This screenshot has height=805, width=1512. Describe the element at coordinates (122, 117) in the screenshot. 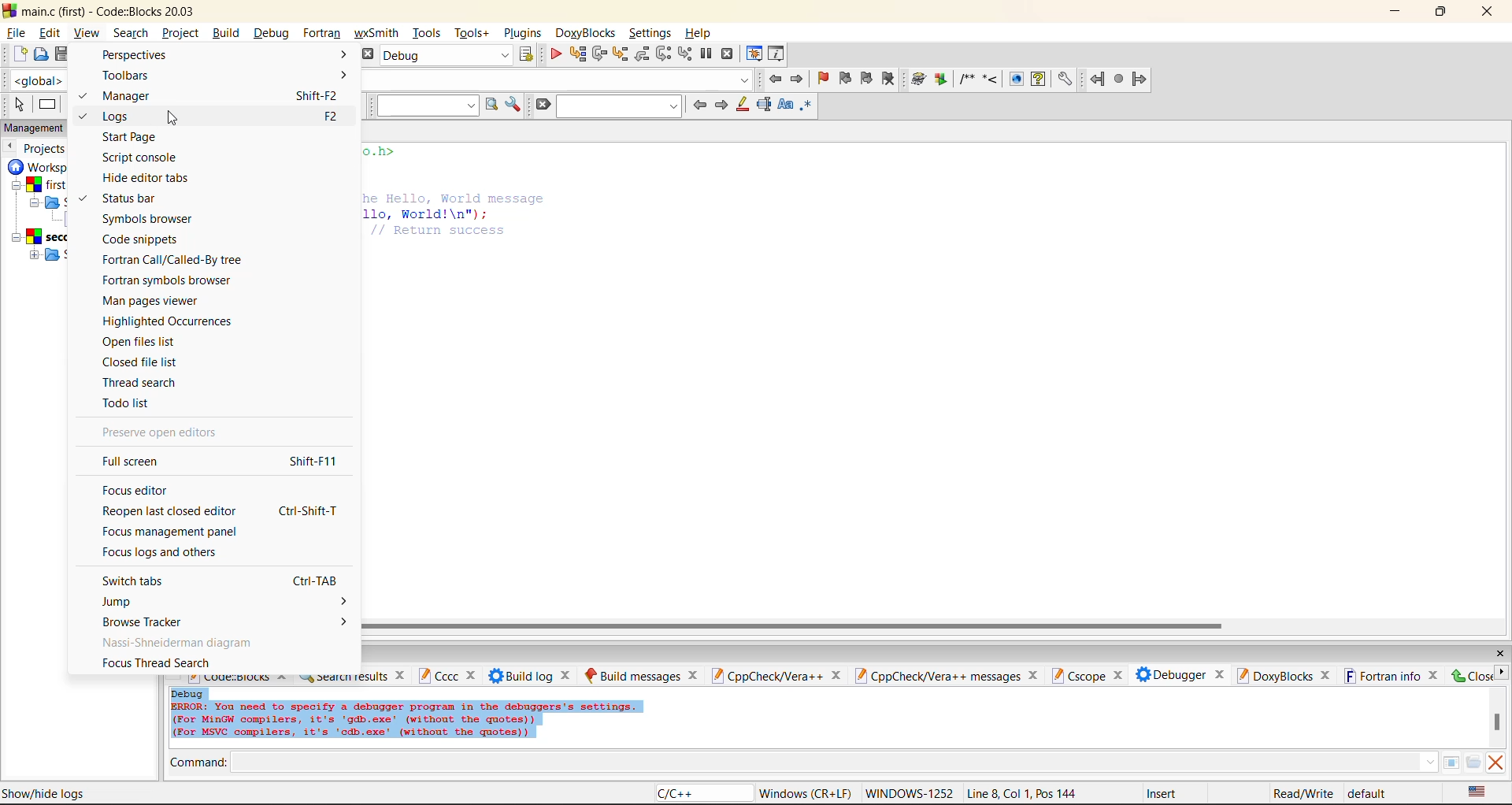

I see `logs` at that location.